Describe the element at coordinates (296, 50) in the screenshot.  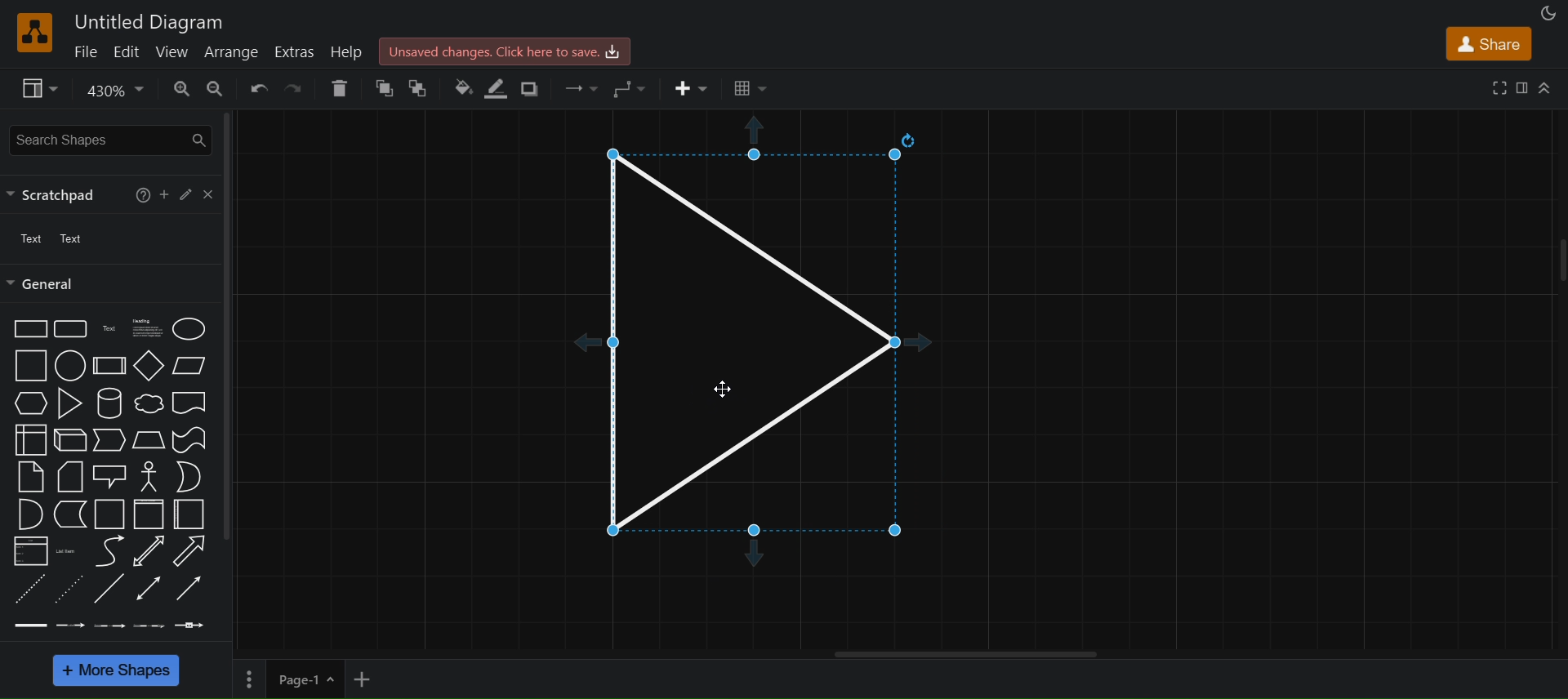
I see `extras` at that location.